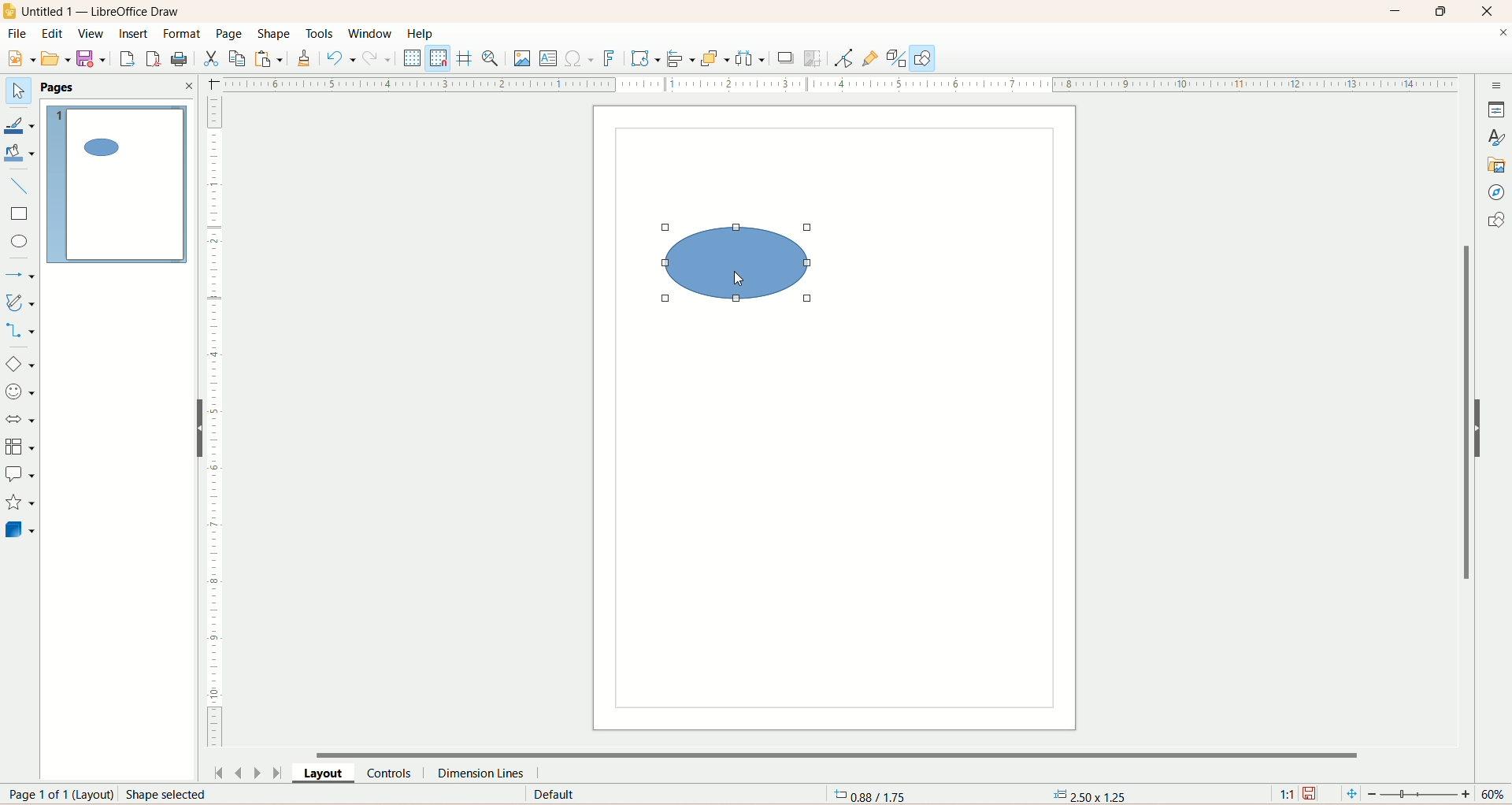 The width and height of the screenshot is (1512, 805). What do you see at coordinates (1089, 796) in the screenshot?
I see `anchor point` at bounding box center [1089, 796].